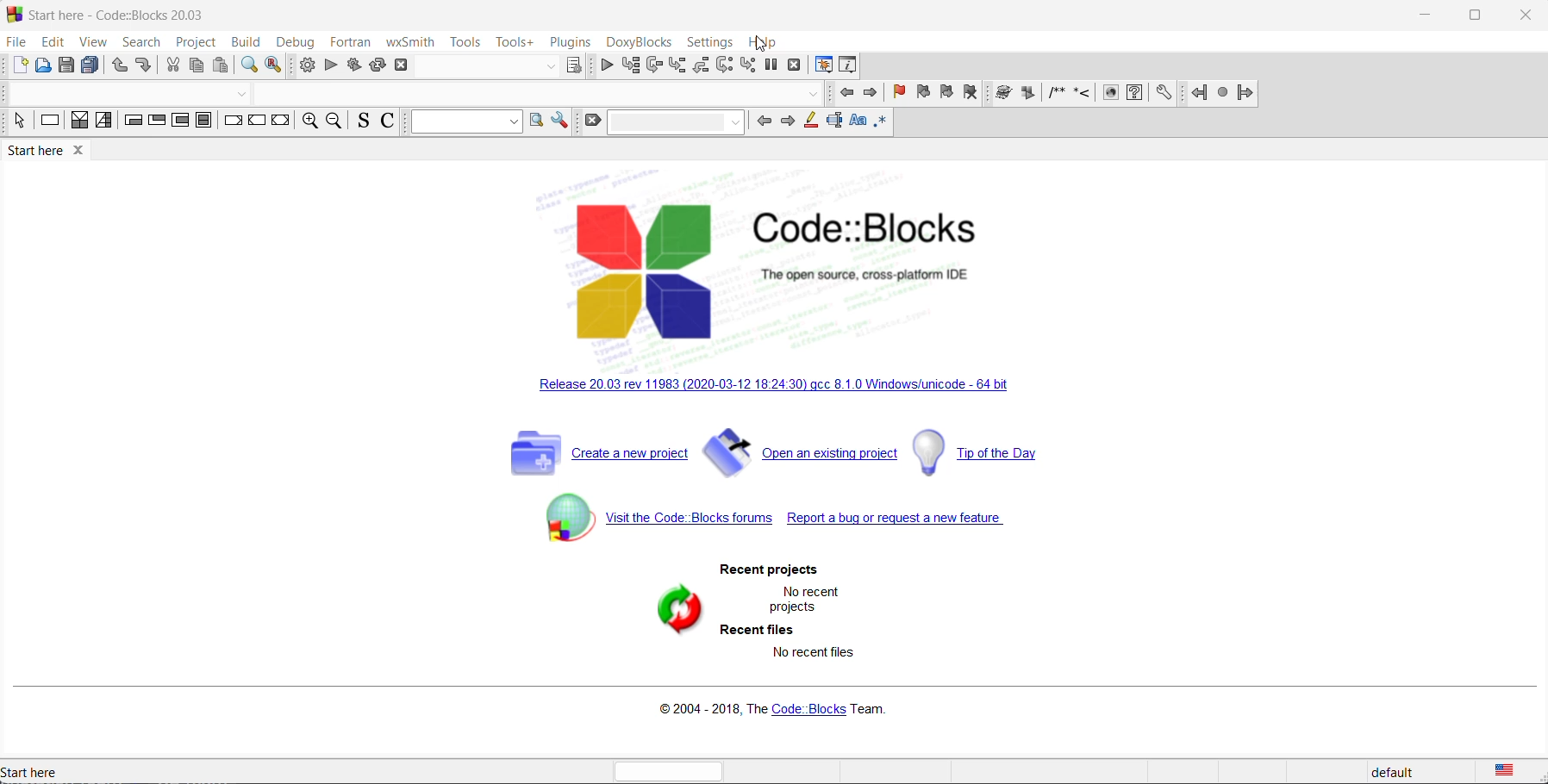  Describe the element at coordinates (657, 65) in the screenshot. I see `next line` at that location.